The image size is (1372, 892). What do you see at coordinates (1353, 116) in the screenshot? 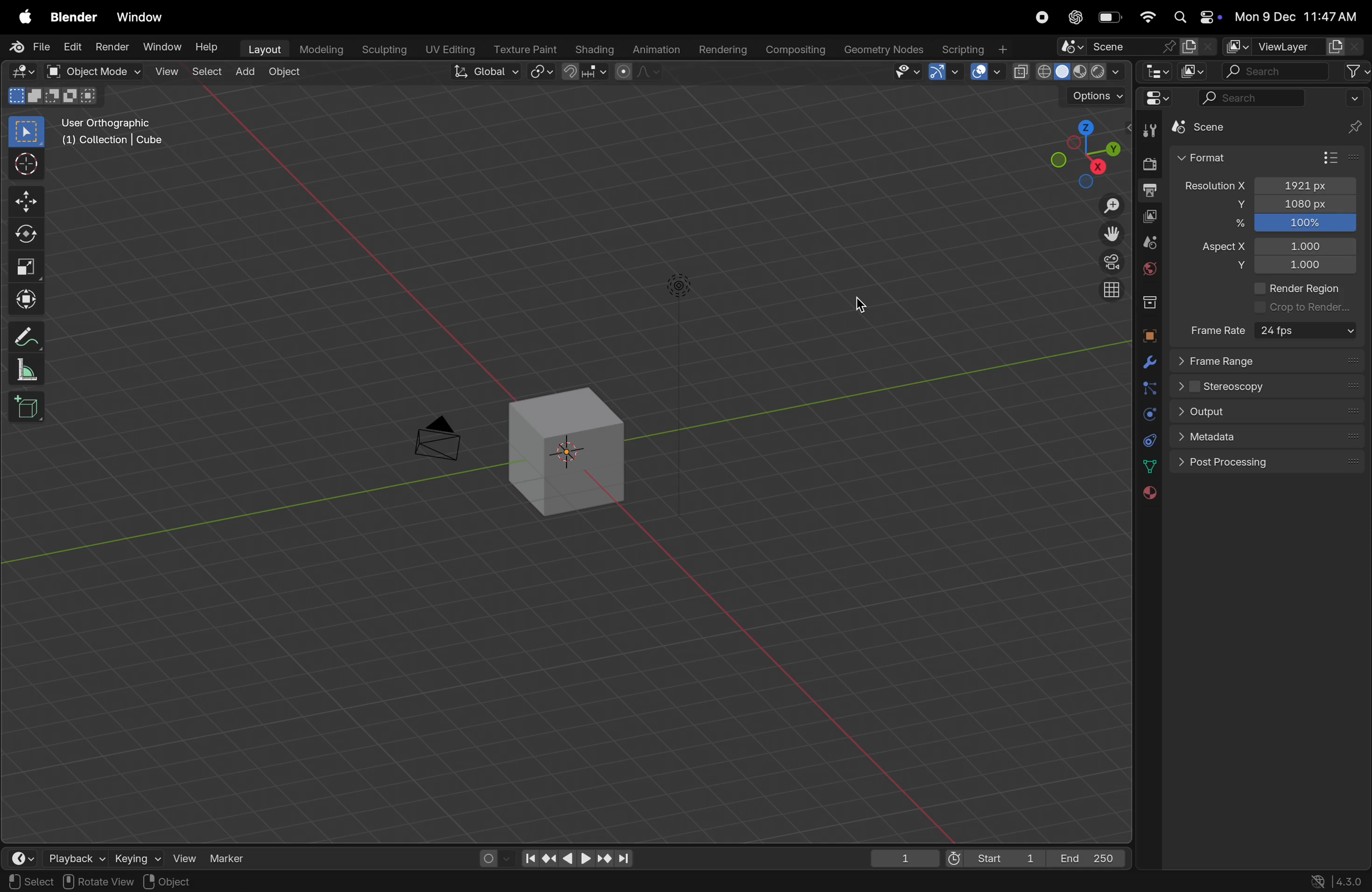
I see `pins` at bounding box center [1353, 116].